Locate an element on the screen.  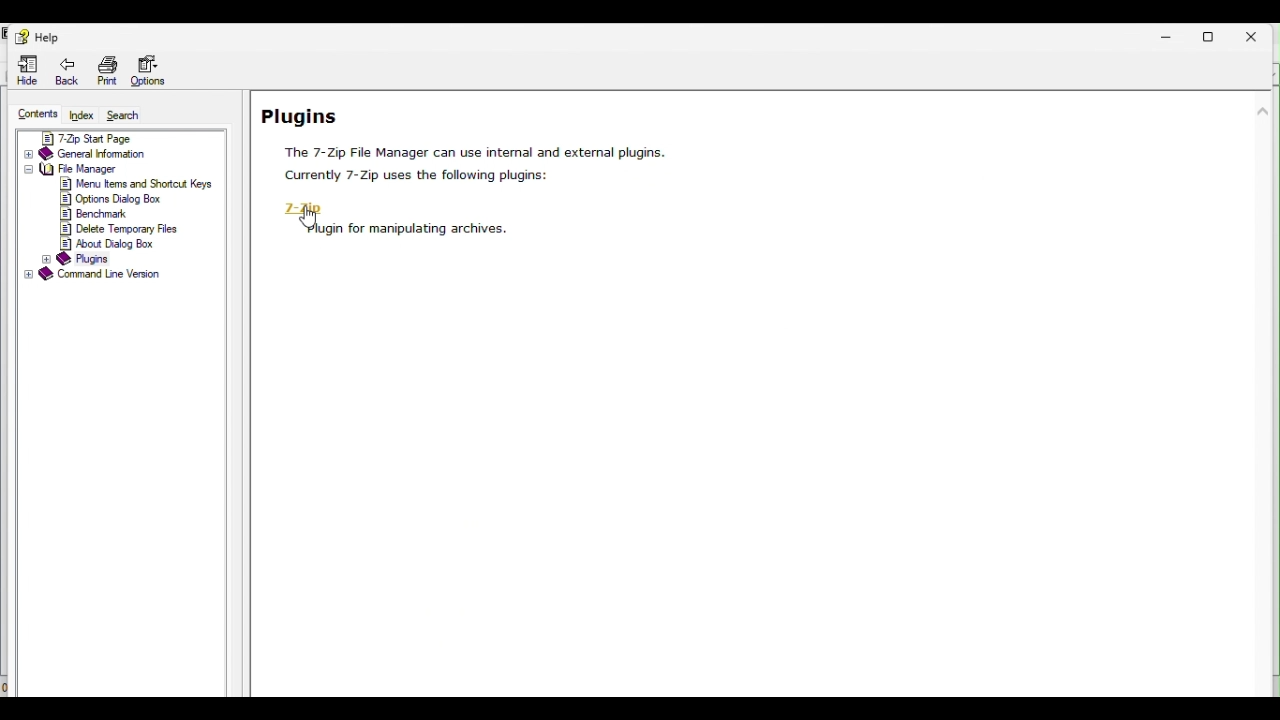
restore is located at coordinates (1215, 35).